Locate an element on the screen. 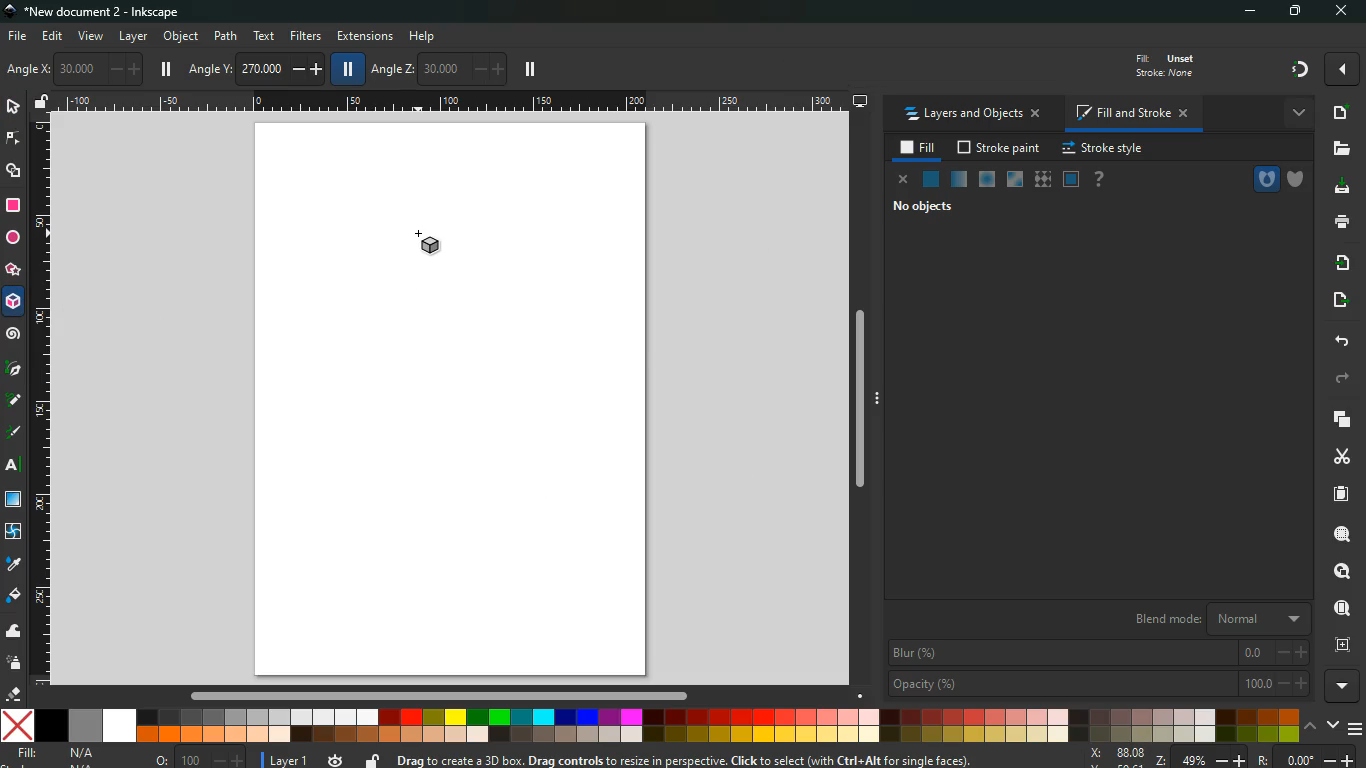 The height and width of the screenshot is (768, 1366). fill is located at coordinates (1162, 64).